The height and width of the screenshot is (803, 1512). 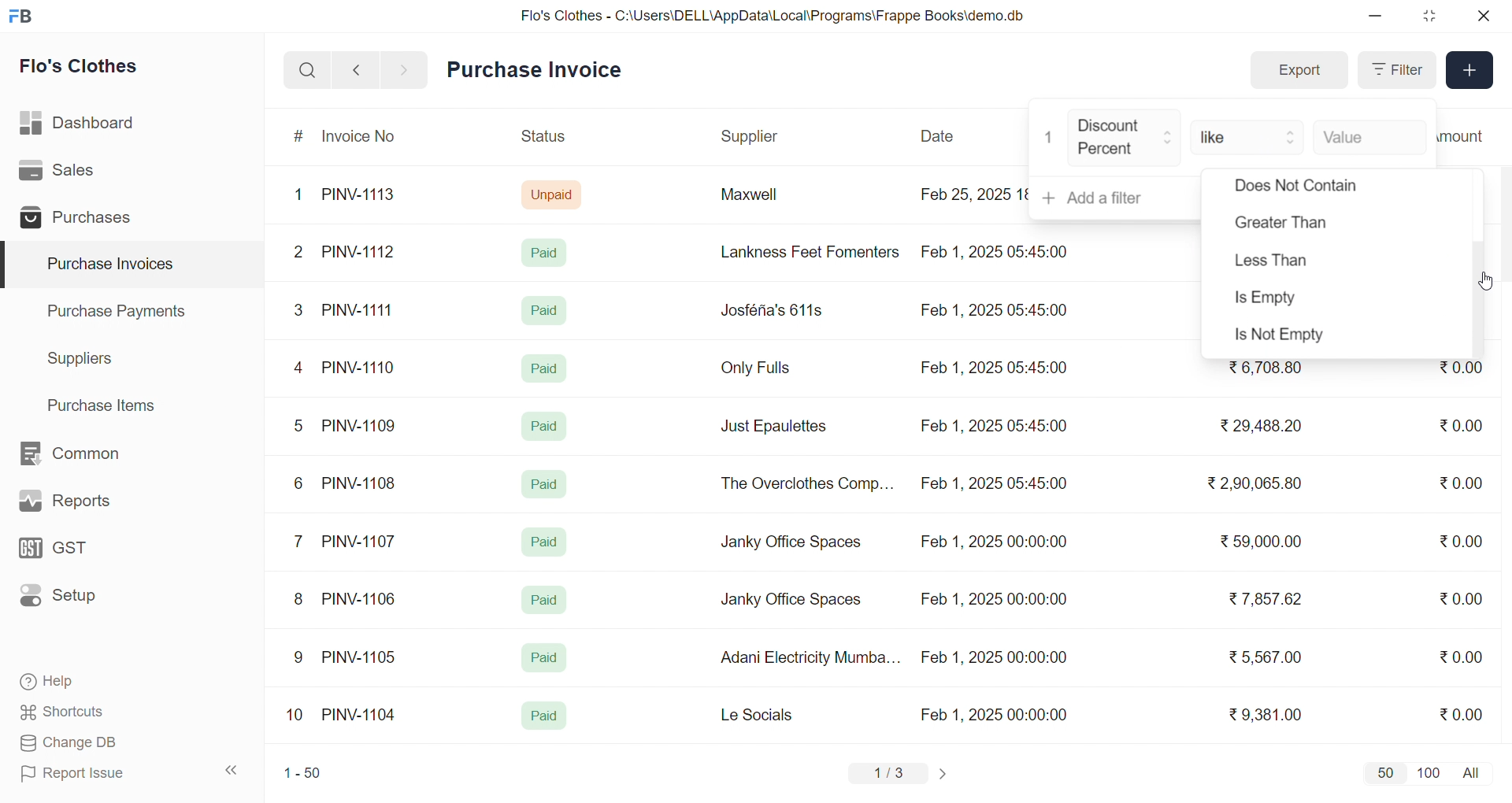 I want to click on 7, so click(x=302, y=540).